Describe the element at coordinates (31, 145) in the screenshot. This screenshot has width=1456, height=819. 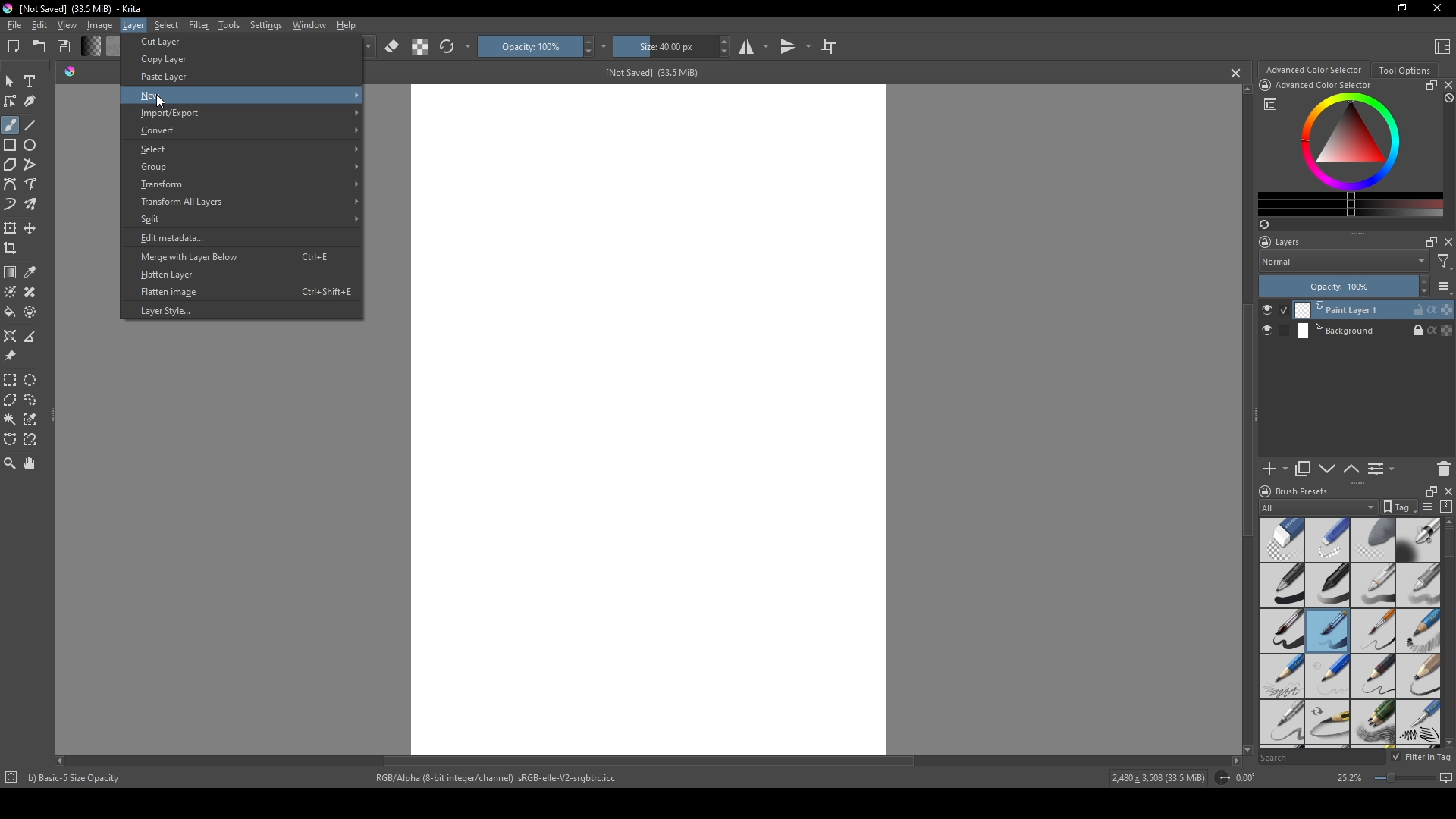
I see `ellipse` at that location.